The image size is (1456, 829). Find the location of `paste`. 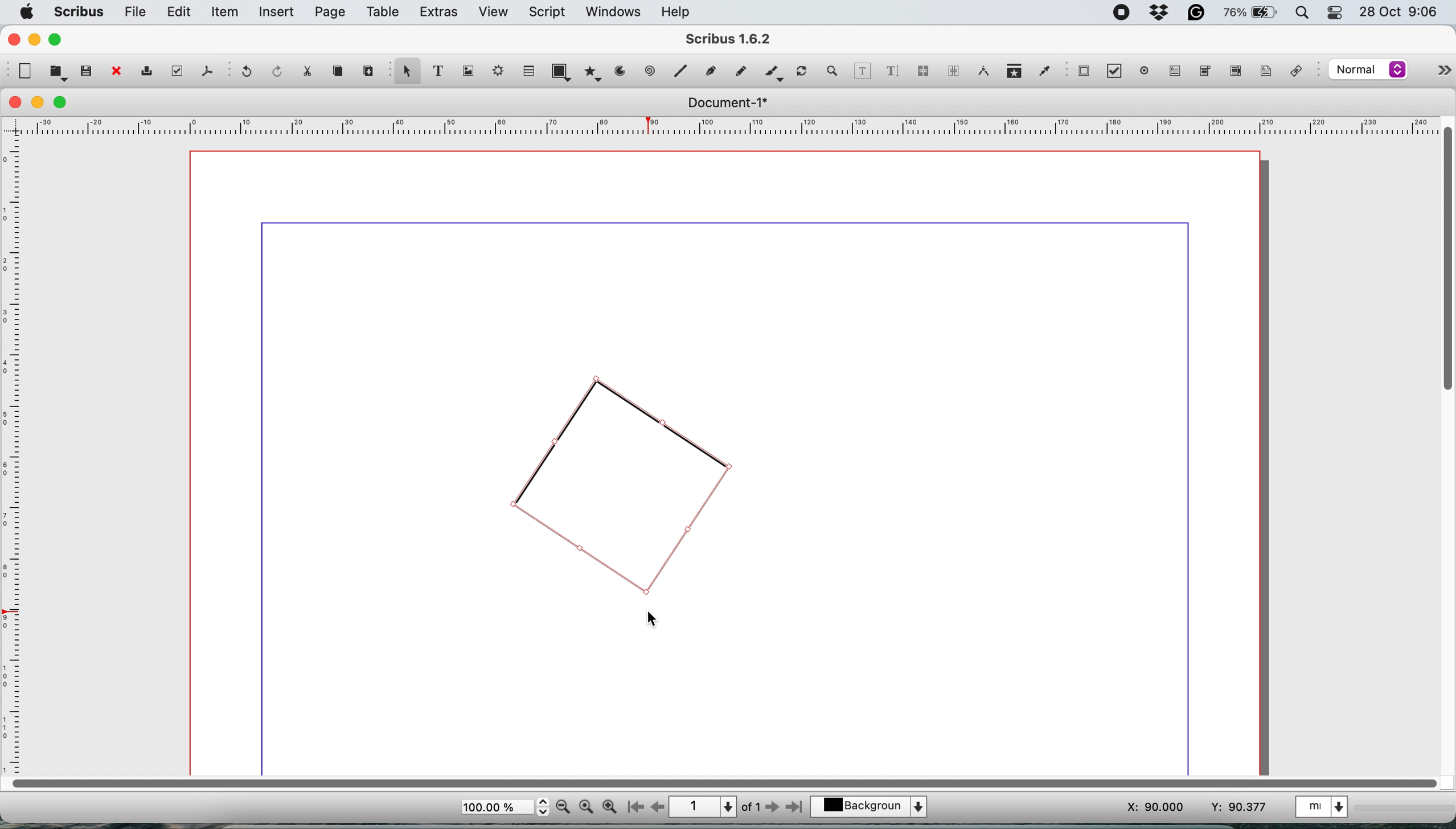

paste is located at coordinates (368, 72).